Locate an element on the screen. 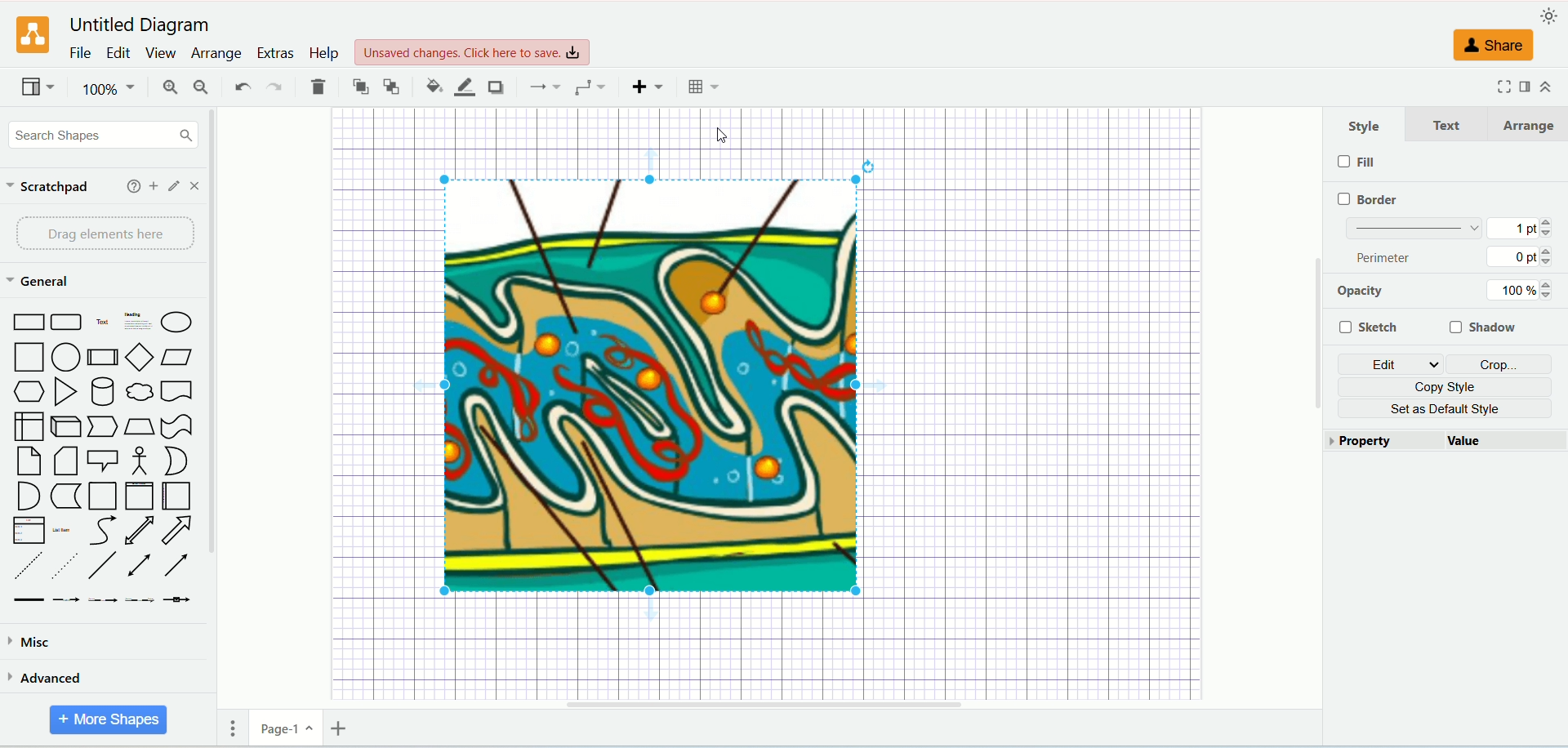 The width and height of the screenshot is (1568, 748). Document  is located at coordinates (178, 394).